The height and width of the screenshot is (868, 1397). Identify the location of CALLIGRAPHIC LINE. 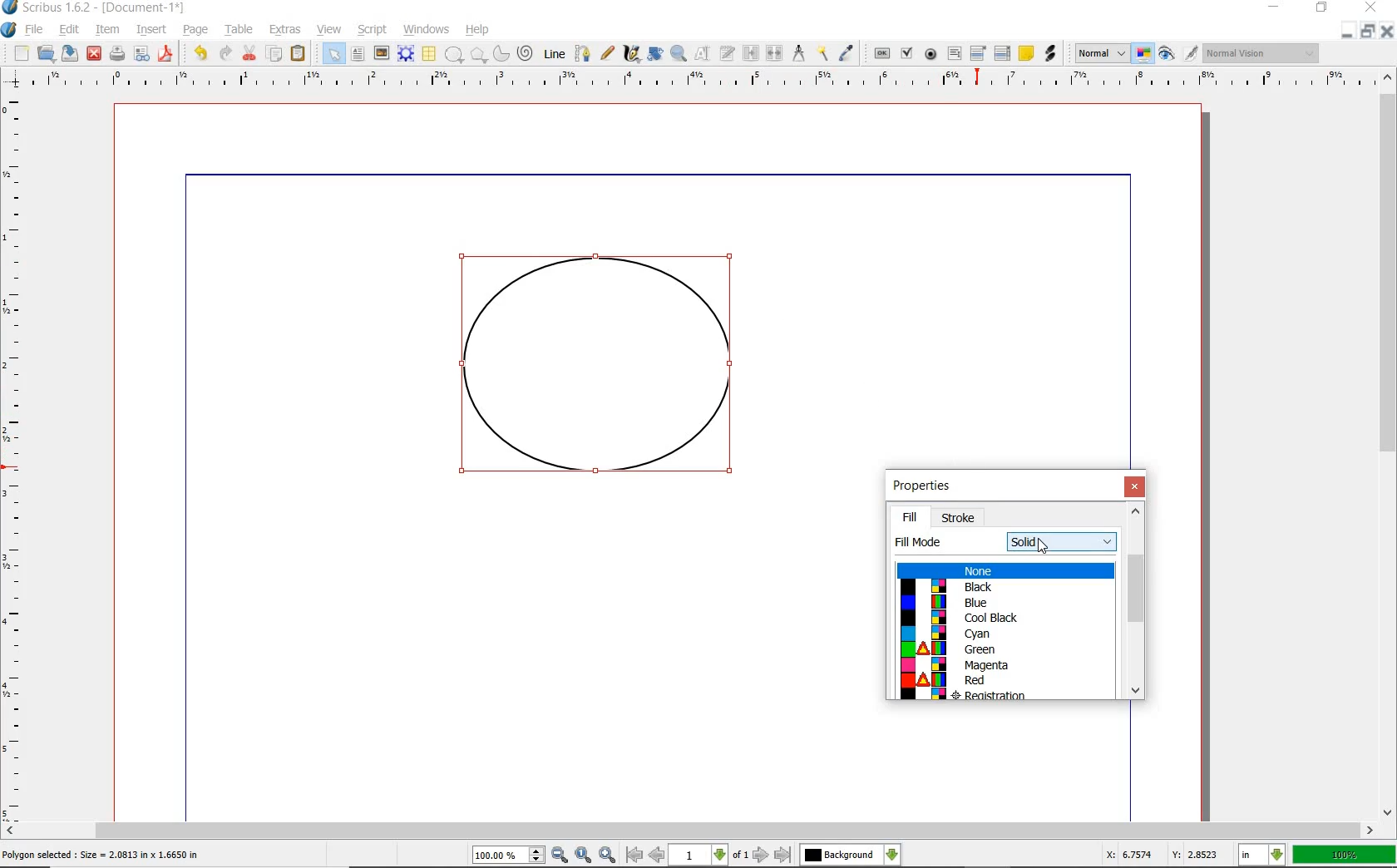
(631, 54).